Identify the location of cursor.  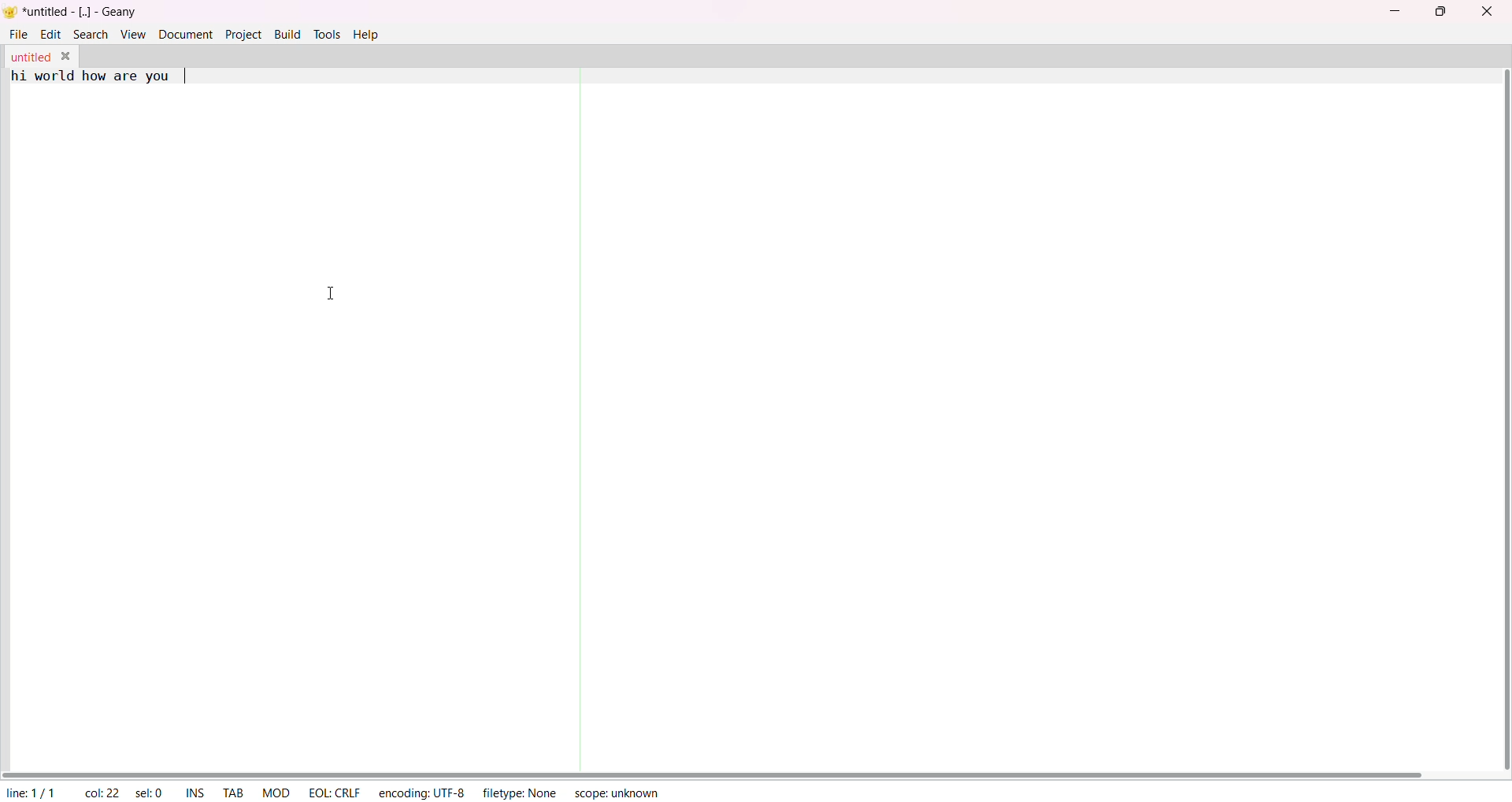
(332, 290).